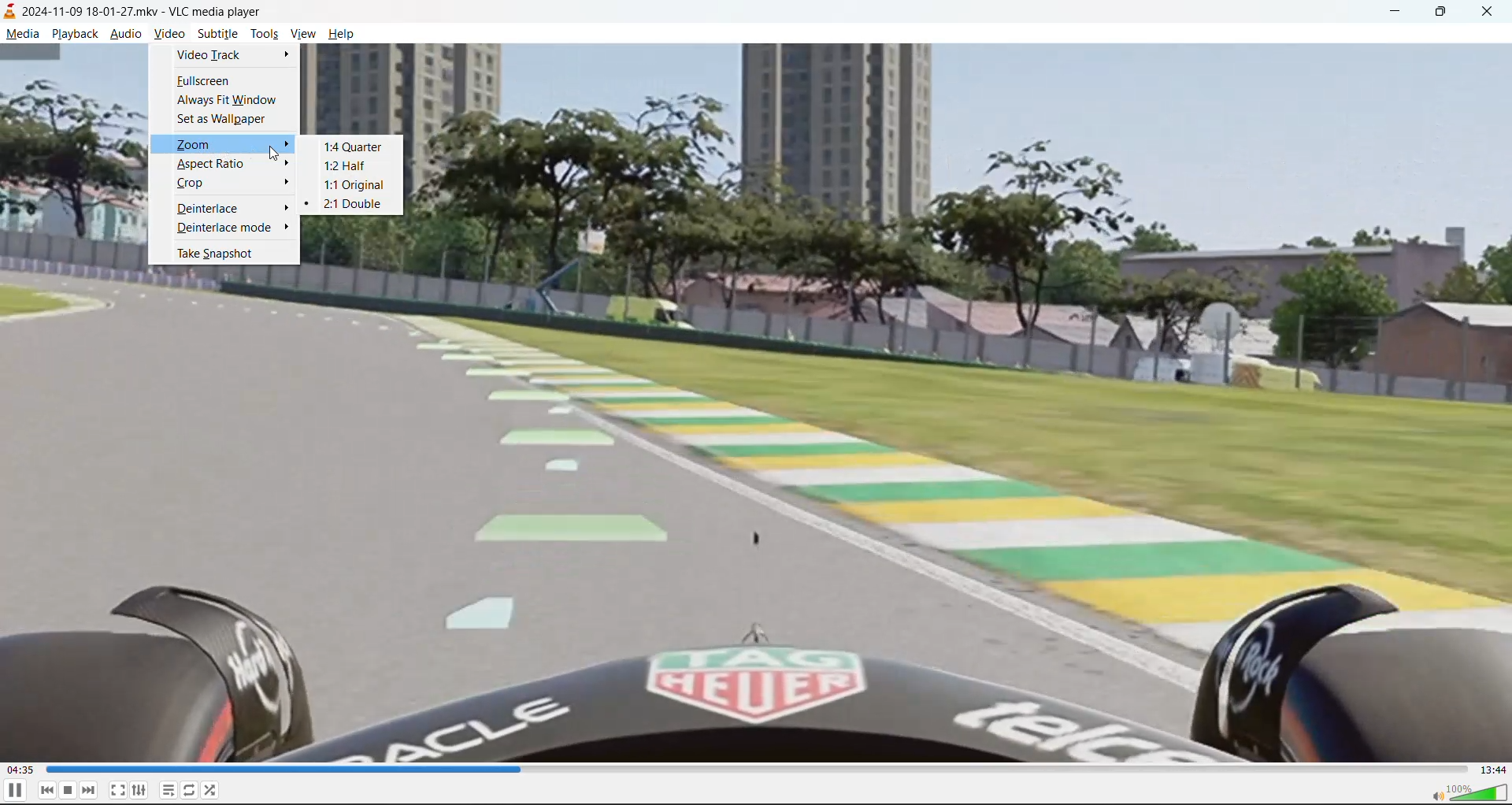 This screenshot has width=1512, height=805. Describe the element at coordinates (1492, 12) in the screenshot. I see `close` at that location.